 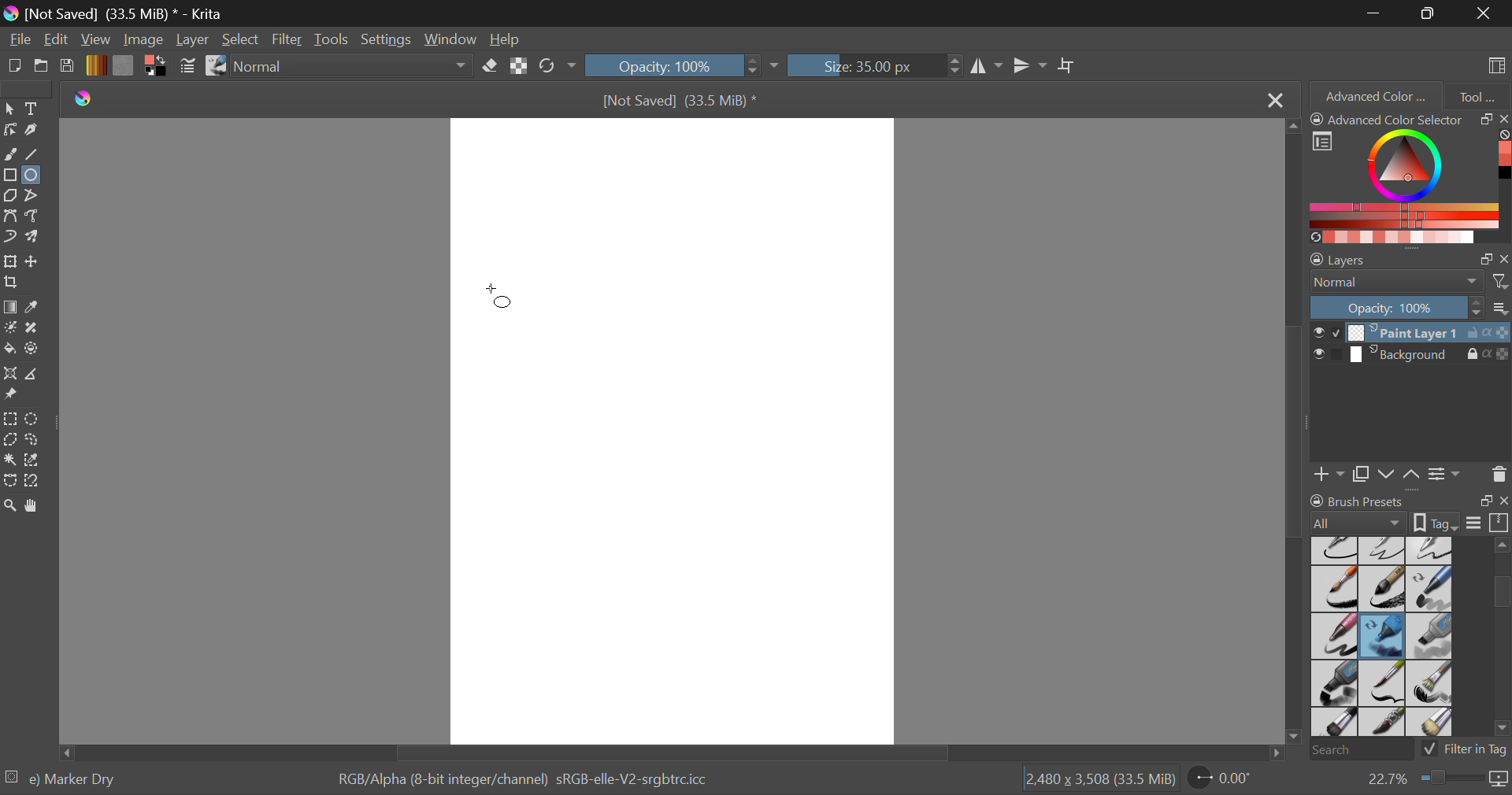 I want to click on Brush Presets Docket Tab, so click(x=1409, y=509).